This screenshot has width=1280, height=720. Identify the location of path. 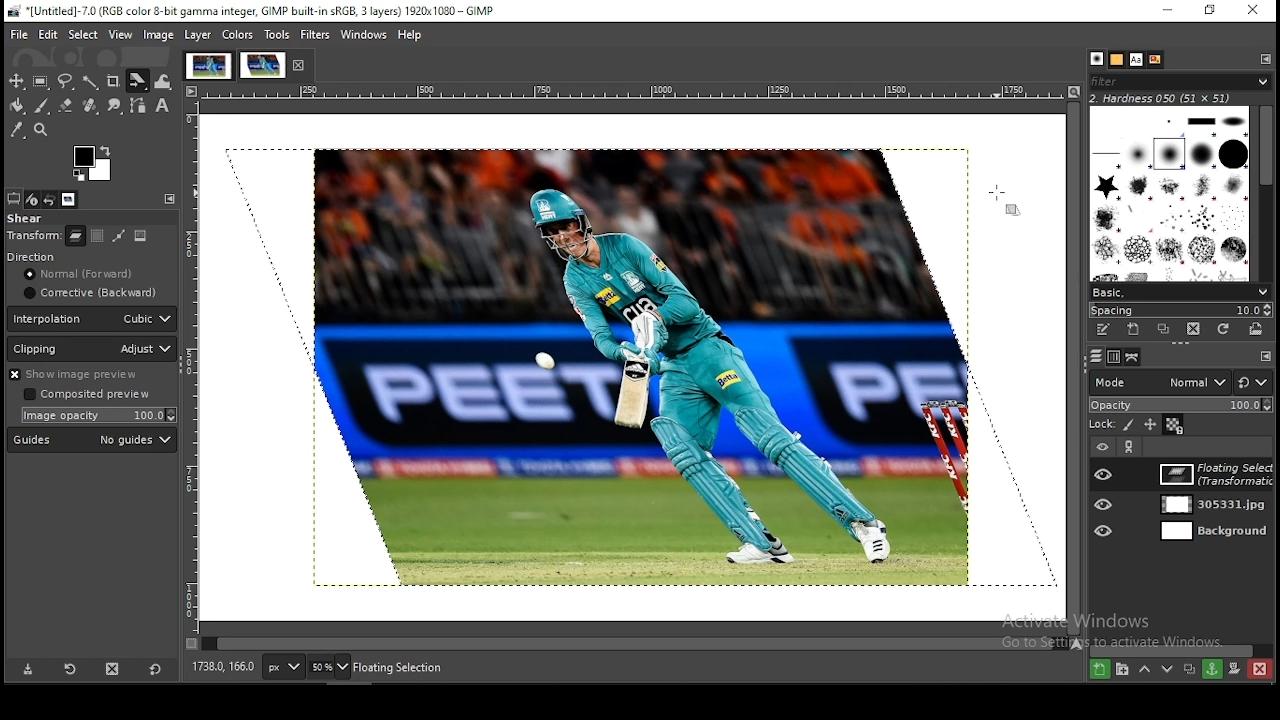
(117, 236).